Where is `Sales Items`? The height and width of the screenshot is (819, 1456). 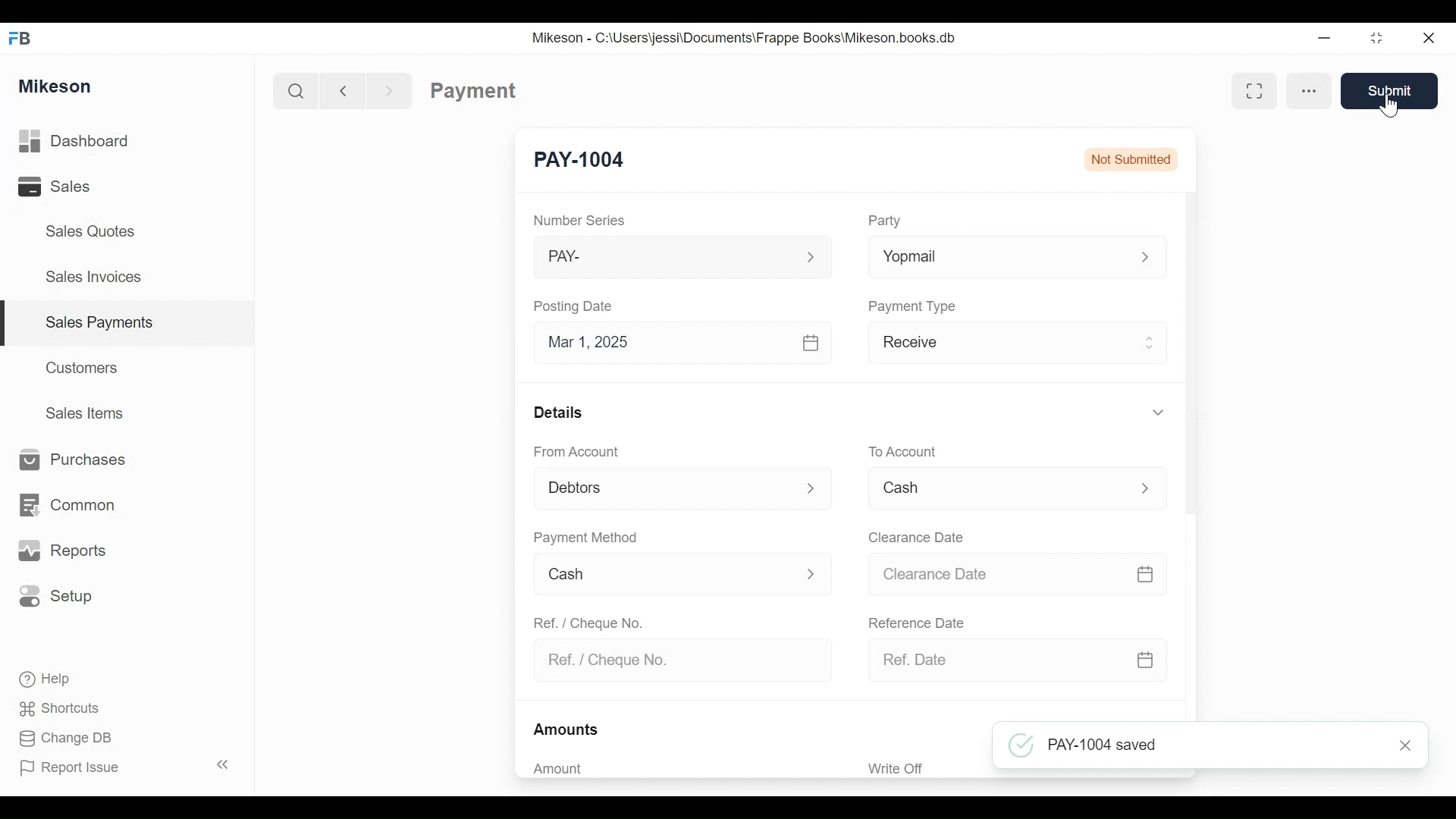
Sales Items is located at coordinates (92, 414).